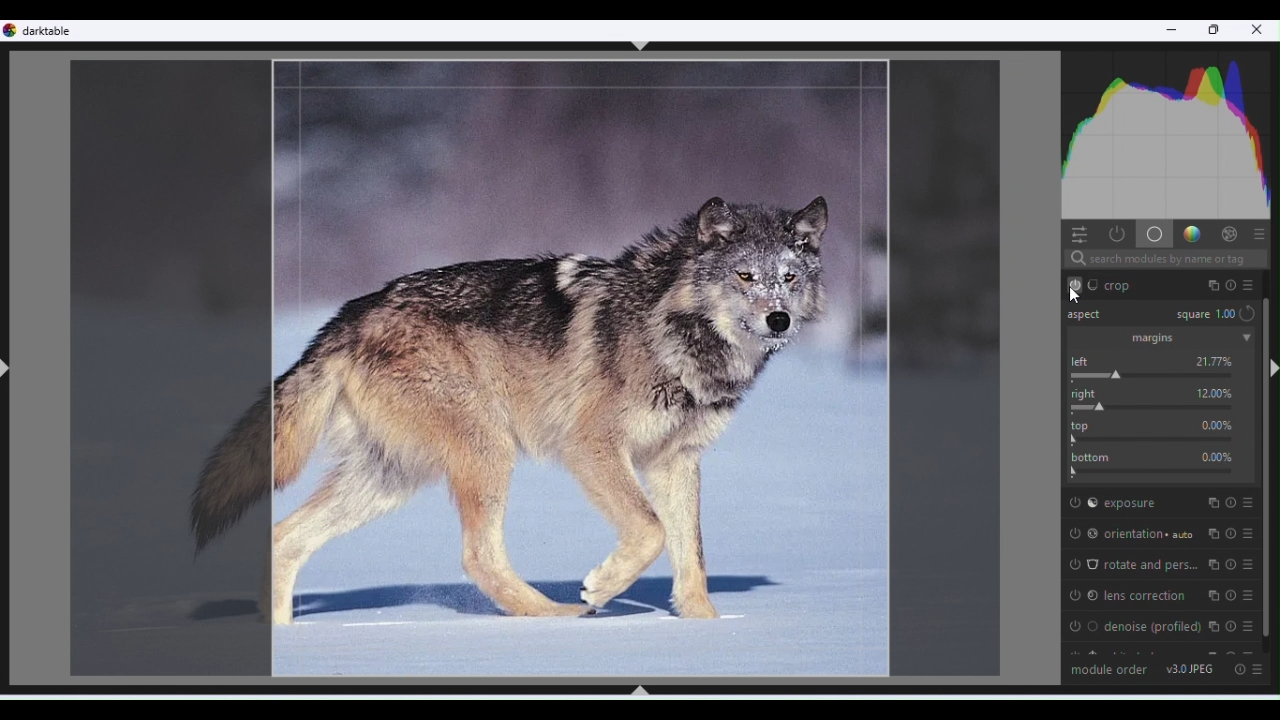  What do you see at coordinates (1162, 530) in the screenshot?
I see `Orientation` at bounding box center [1162, 530].